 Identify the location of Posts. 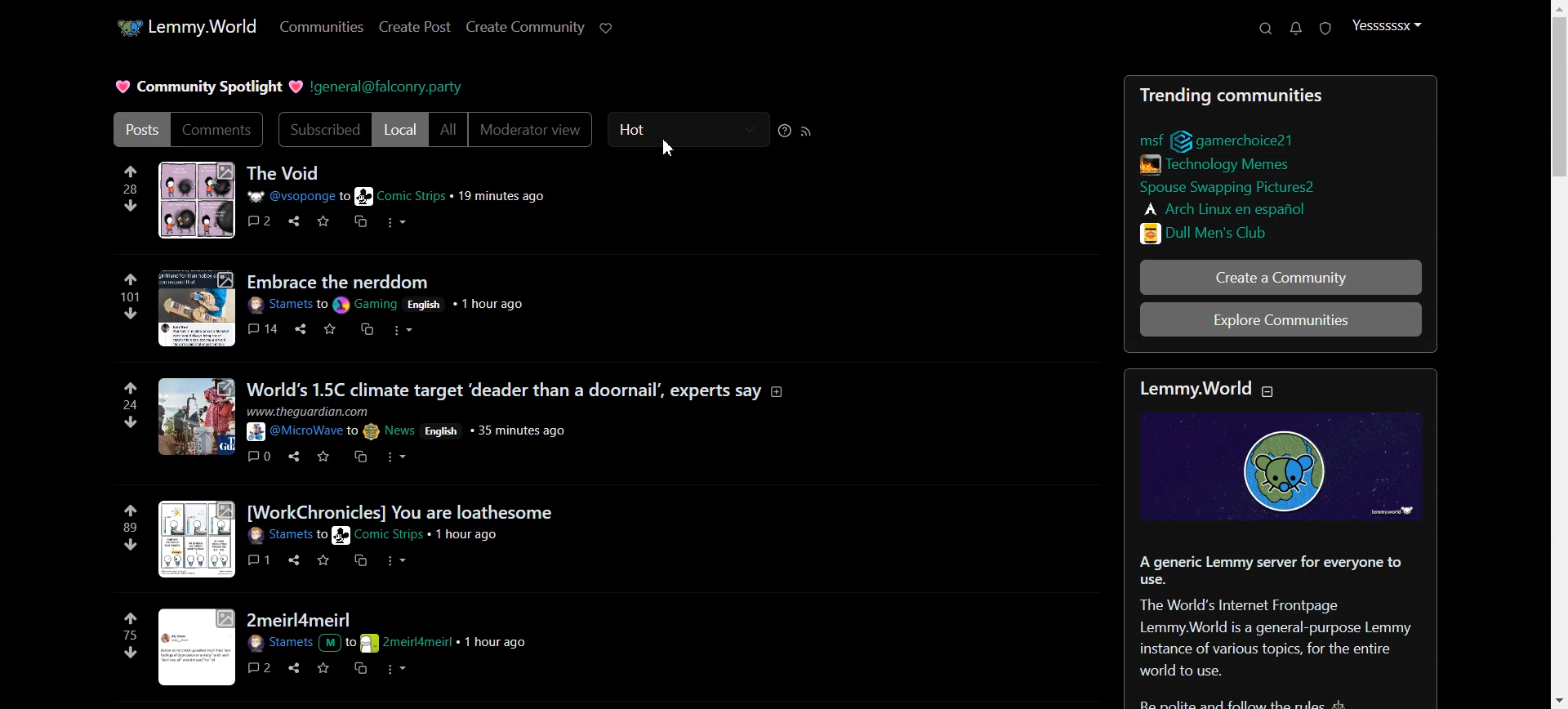
(284, 172).